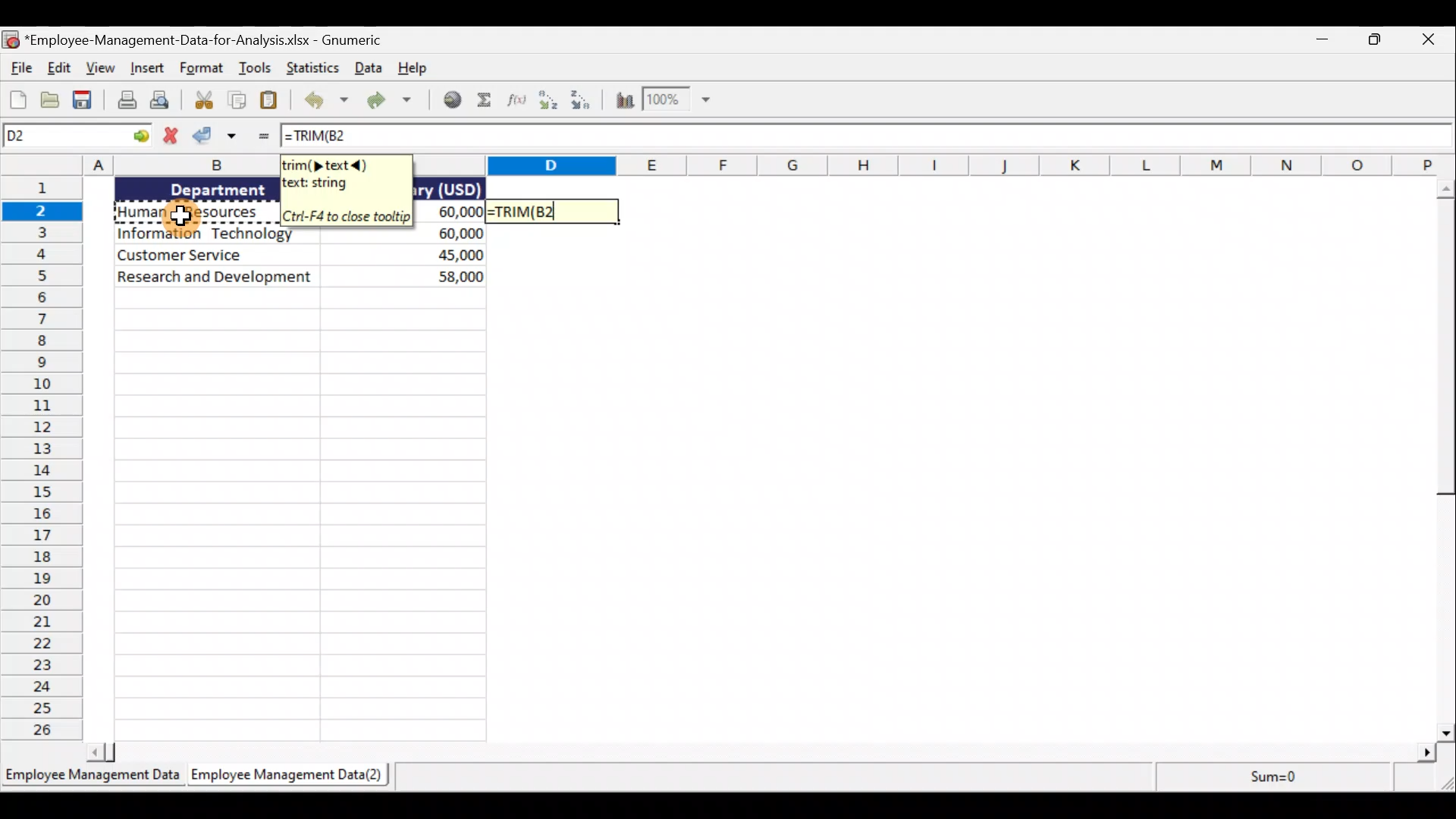  What do you see at coordinates (91, 777) in the screenshot?
I see `Sheet 1` at bounding box center [91, 777].